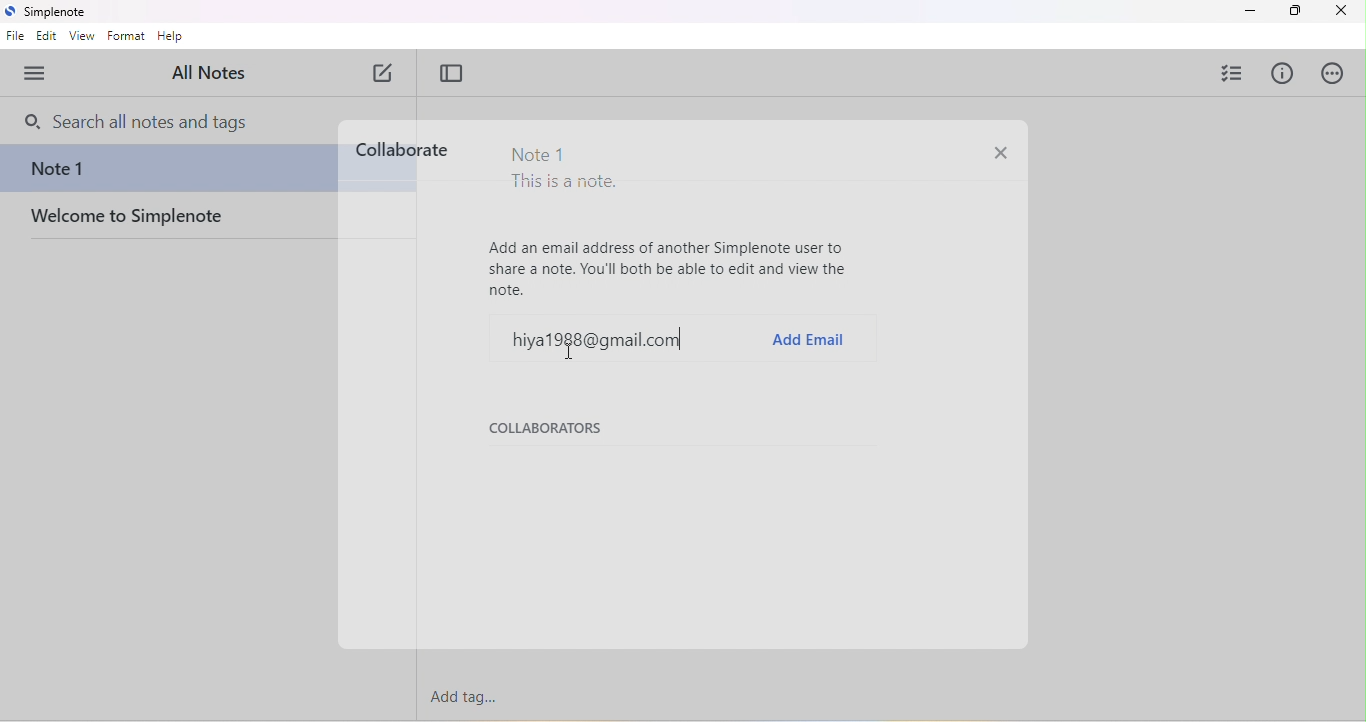 This screenshot has height=722, width=1366. What do you see at coordinates (670, 268) in the screenshot?
I see `Add an email address of another Simplenote user to share a note. You'll both be able to edit and view the note.` at bounding box center [670, 268].